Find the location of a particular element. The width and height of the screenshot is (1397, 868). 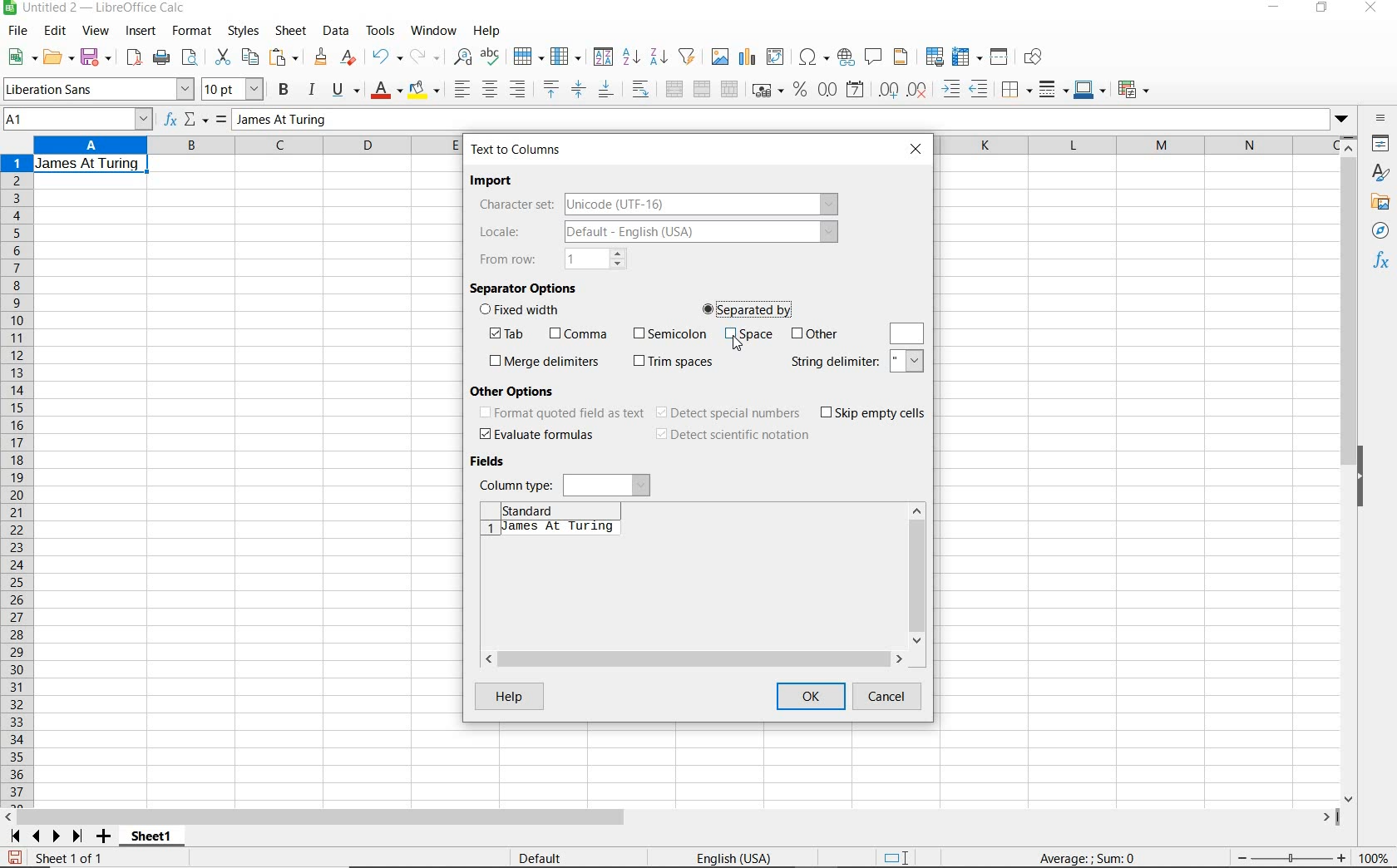

scroll sheets is located at coordinates (43, 836).